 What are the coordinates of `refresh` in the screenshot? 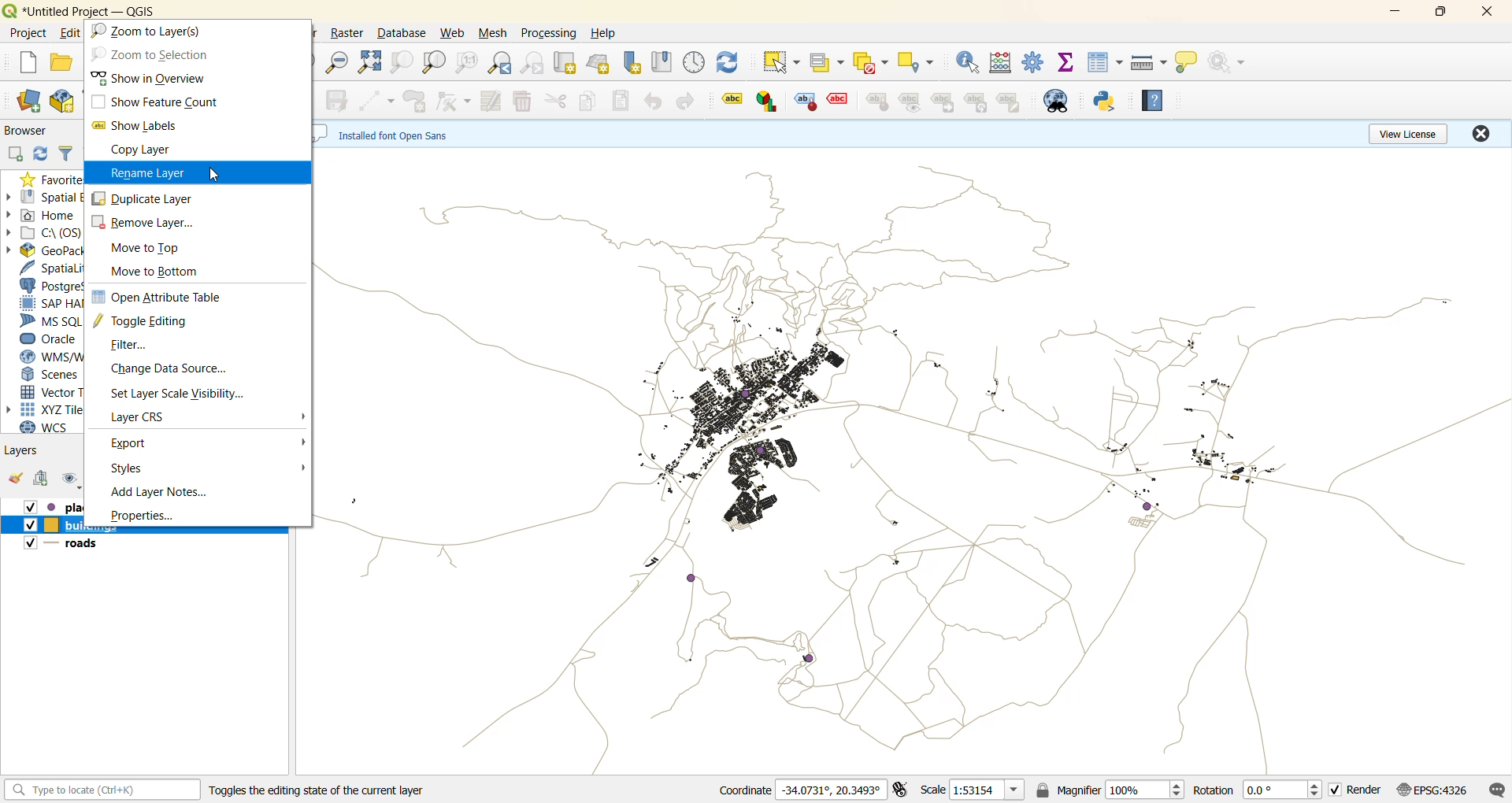 It's located at (730, 63).